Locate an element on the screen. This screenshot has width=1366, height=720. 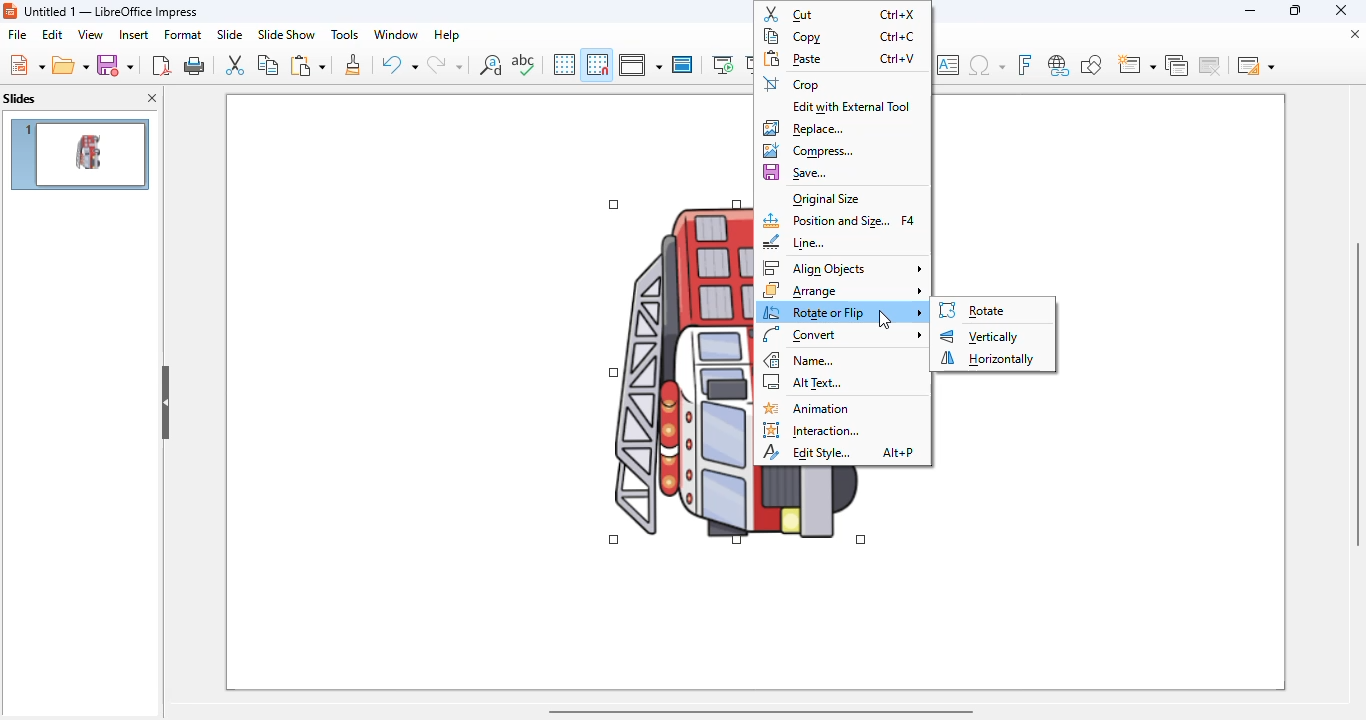
line is located at coordinates (796, 243).